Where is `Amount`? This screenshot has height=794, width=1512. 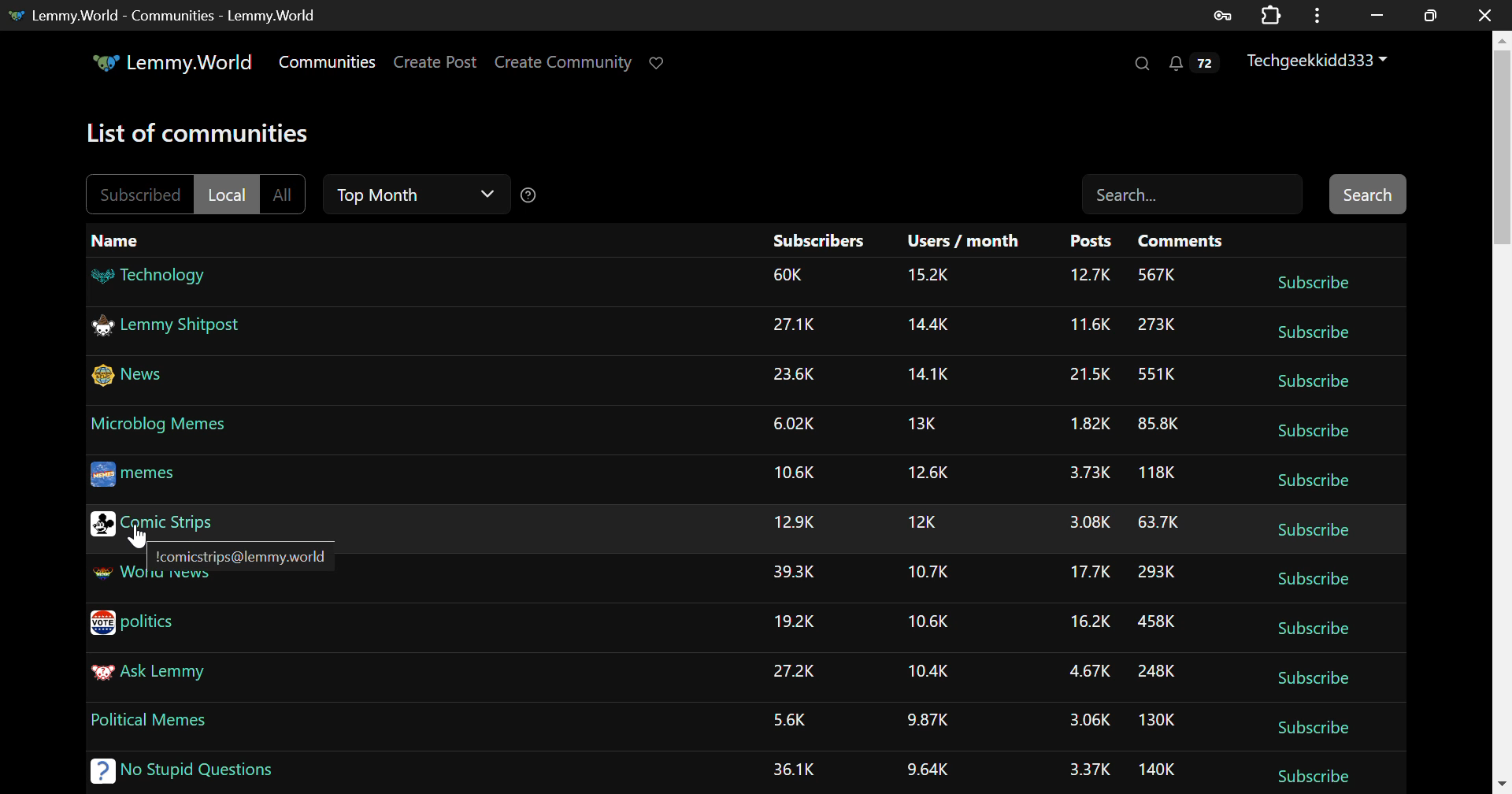
Amount is located at coordinates (1156, 427).